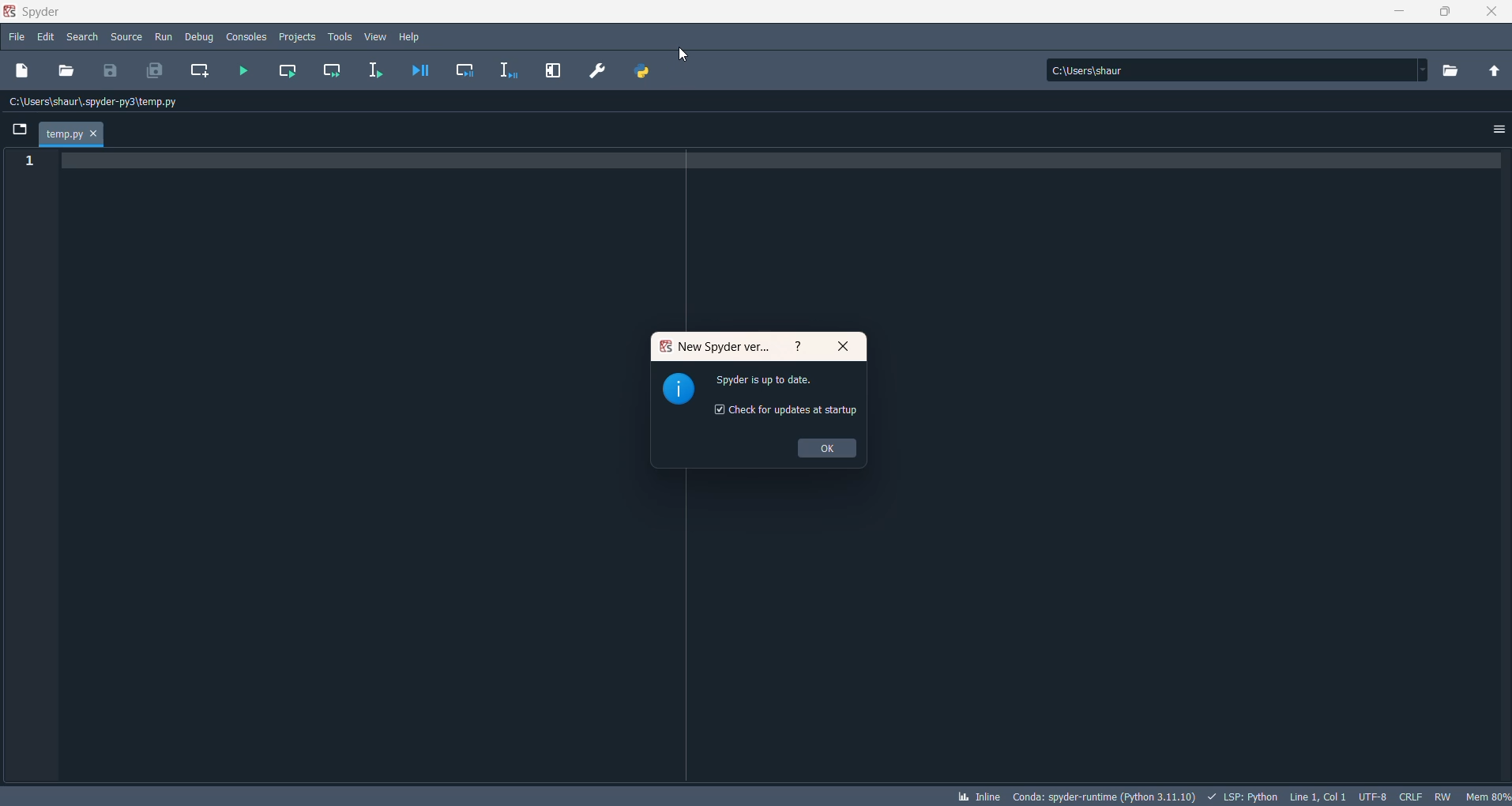 The image size is (1512, 806). I want to click on close, so click(1491, 13).